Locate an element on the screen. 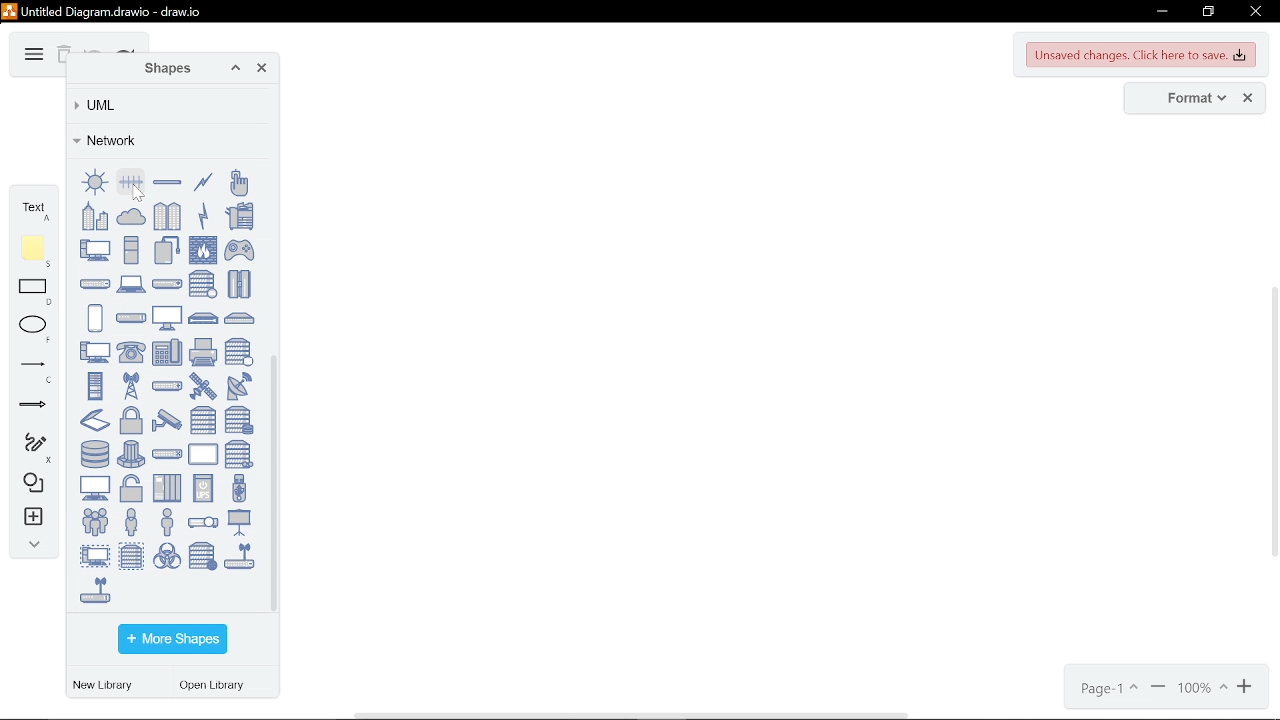  restore down is located at coordinates (1208, 12).